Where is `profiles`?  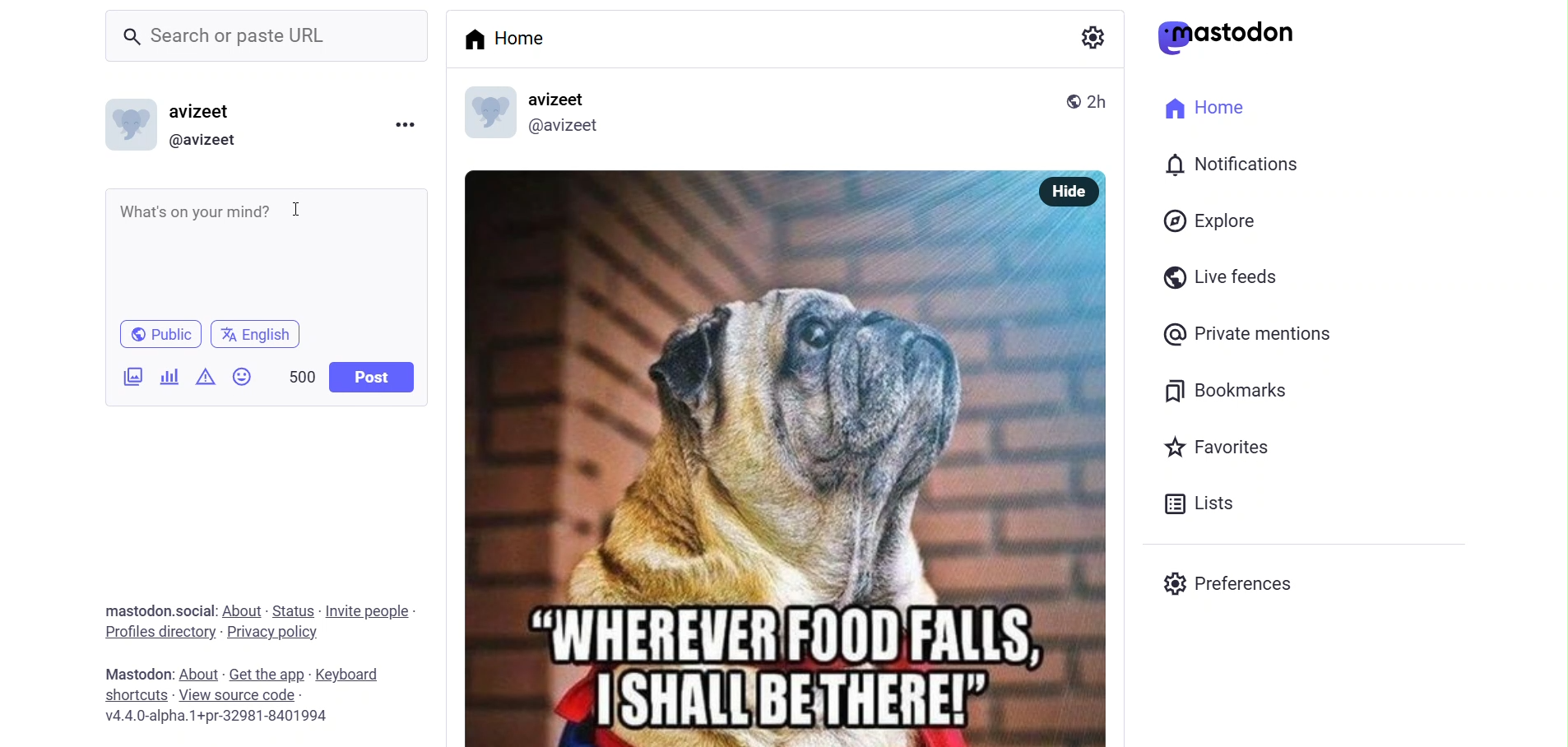
profiles is located at coordinates (157, 632).